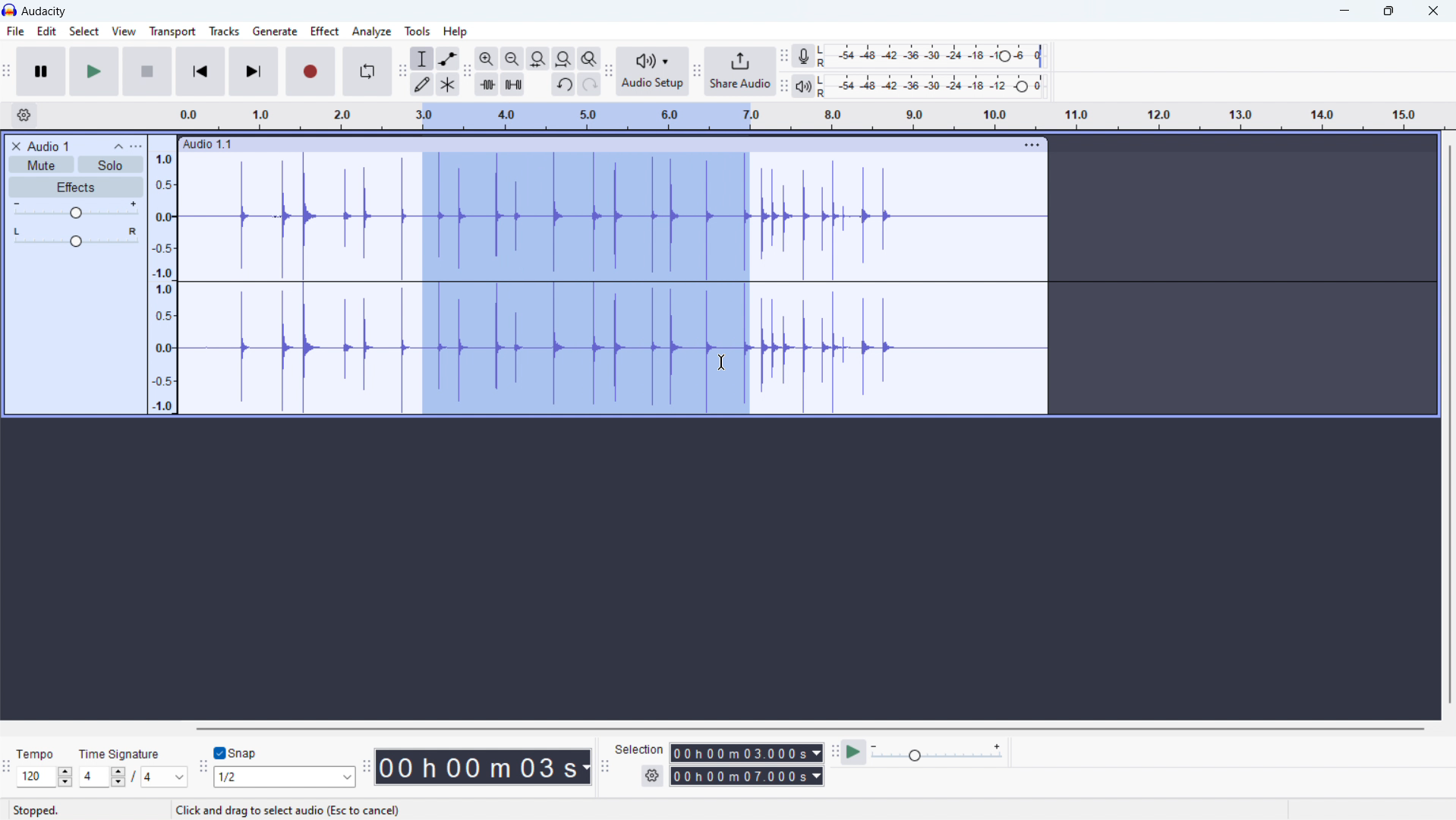 The width and height of the screenshot is (1456, 820). What do you see at coordinates (564, 58) in the screenshot?
I see `fit project to width` at bounding box center [564, 58].